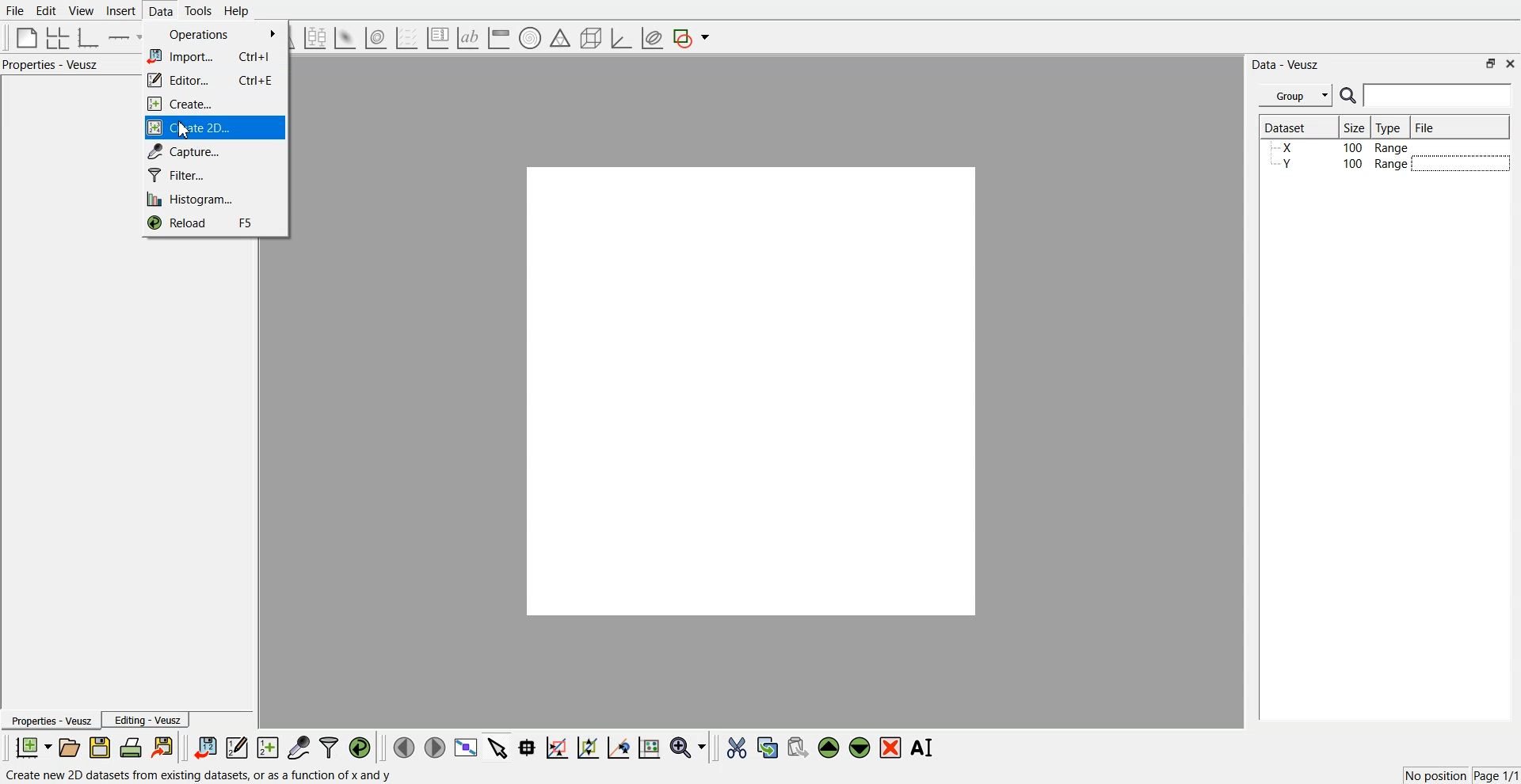 This screenshot has width=1521, height=784. What do you see at coordinates (404, 747) in the screenshot?
I see `Move to the previous page` at bounding box center [404, 747].